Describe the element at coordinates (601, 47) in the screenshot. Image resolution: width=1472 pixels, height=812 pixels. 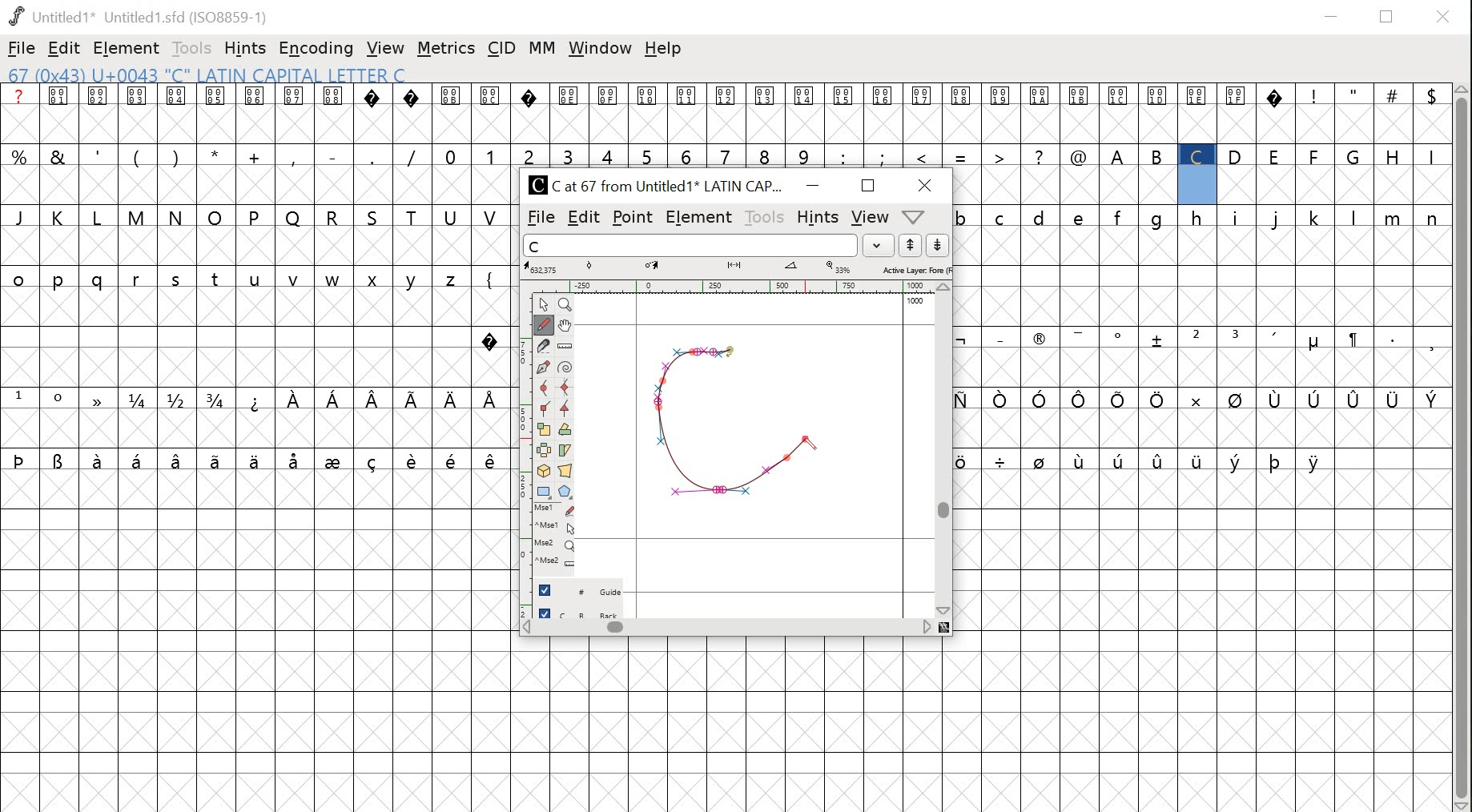
I see `window` at that location.